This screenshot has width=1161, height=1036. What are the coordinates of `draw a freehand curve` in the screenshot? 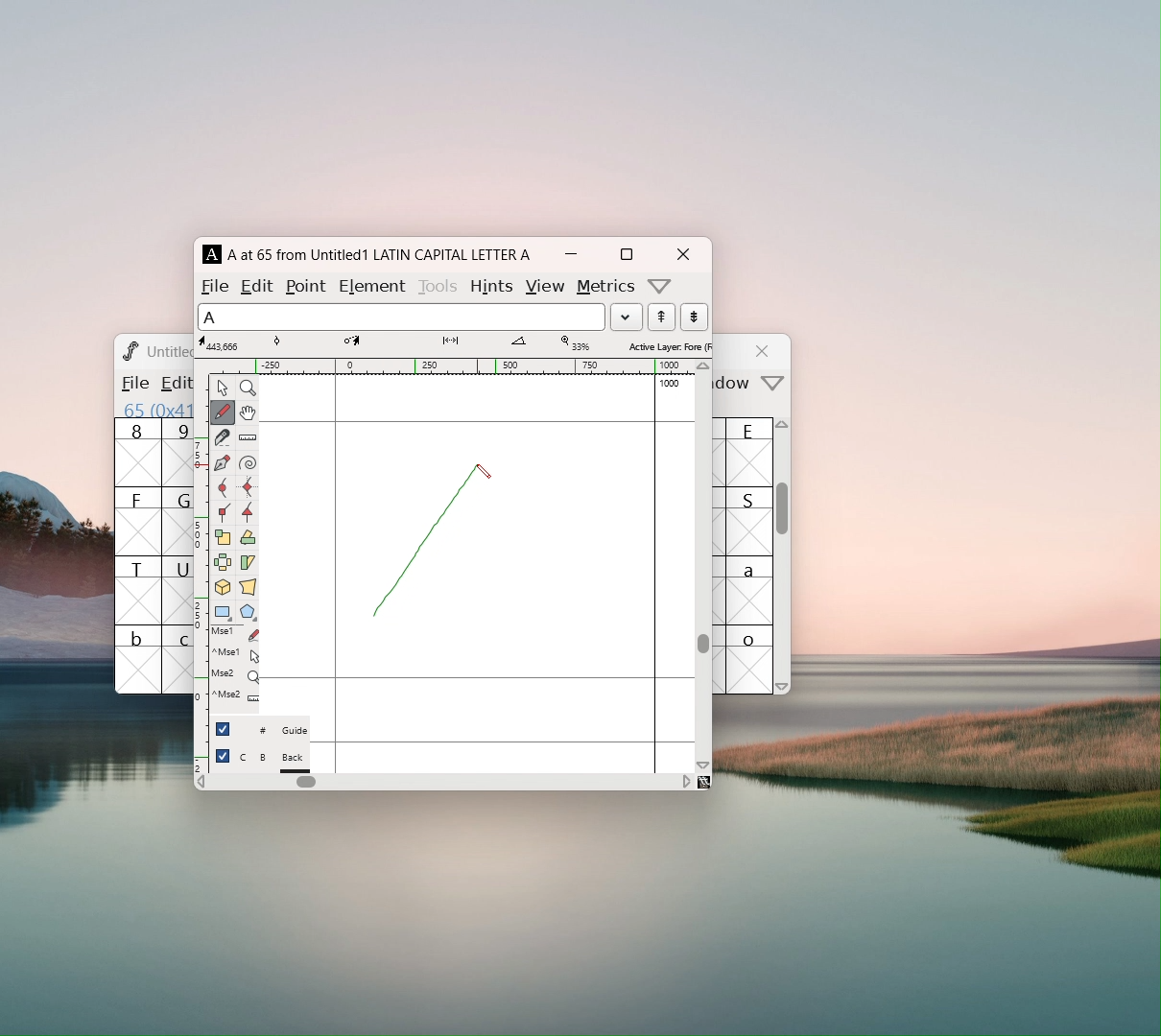 It's located at (223, 412).